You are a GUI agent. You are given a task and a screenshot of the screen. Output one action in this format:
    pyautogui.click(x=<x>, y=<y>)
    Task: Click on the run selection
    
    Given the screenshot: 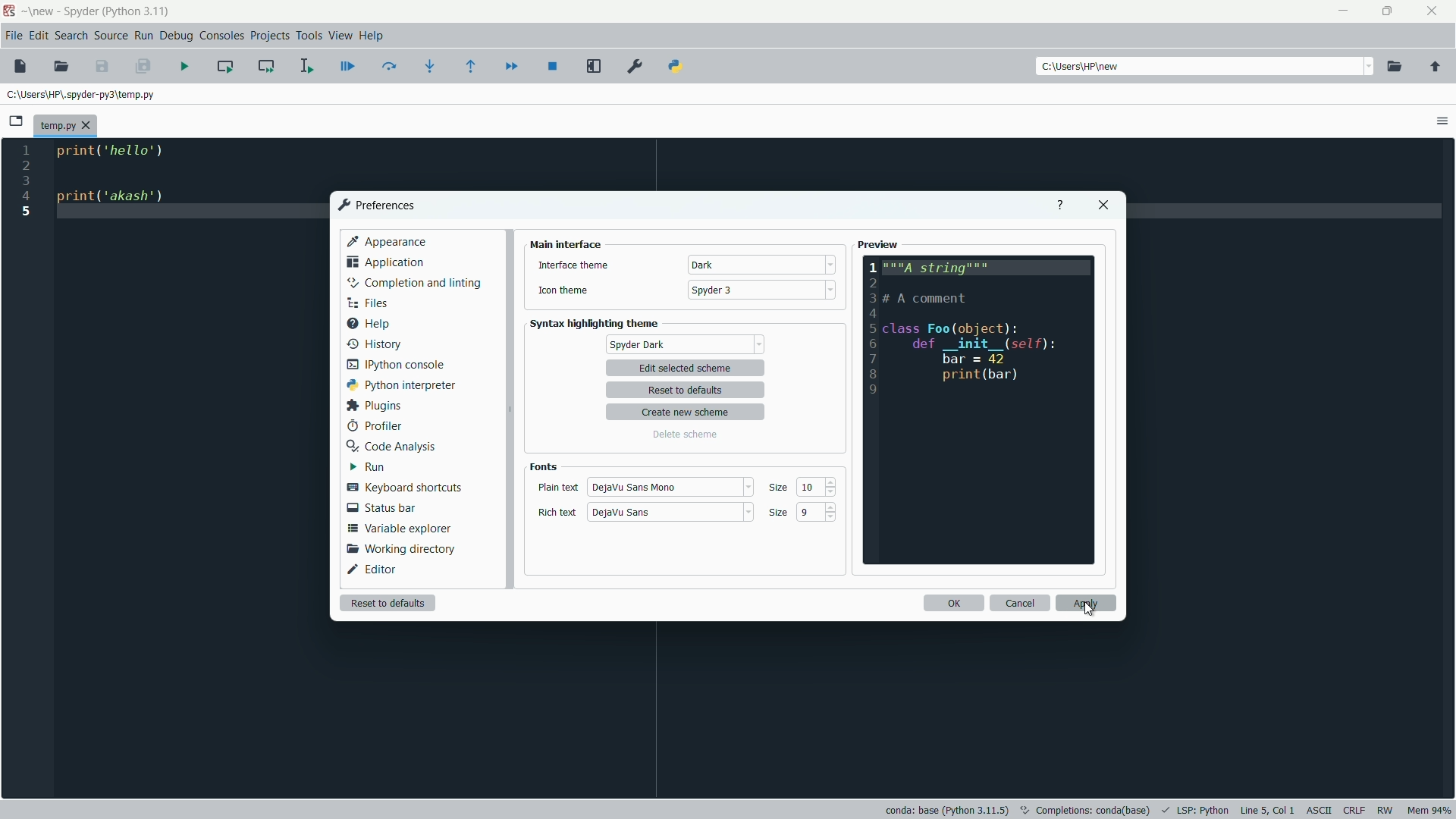 What is the action you would take?
    pyautogui.click(x=306, y=64)
    